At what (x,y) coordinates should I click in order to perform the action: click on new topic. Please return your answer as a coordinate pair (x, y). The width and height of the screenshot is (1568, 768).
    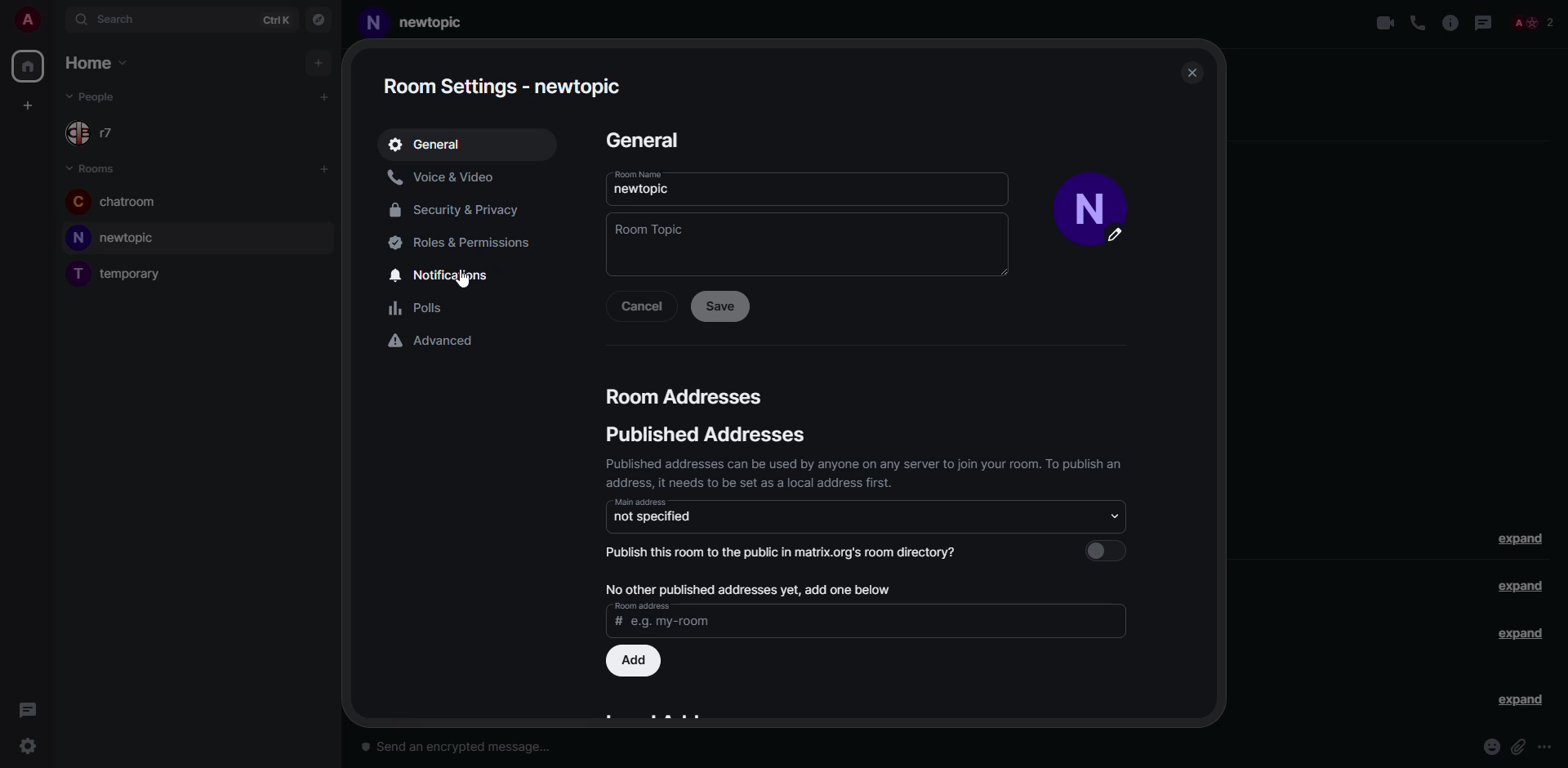
    Looking at the image, I should click on (116, 236).